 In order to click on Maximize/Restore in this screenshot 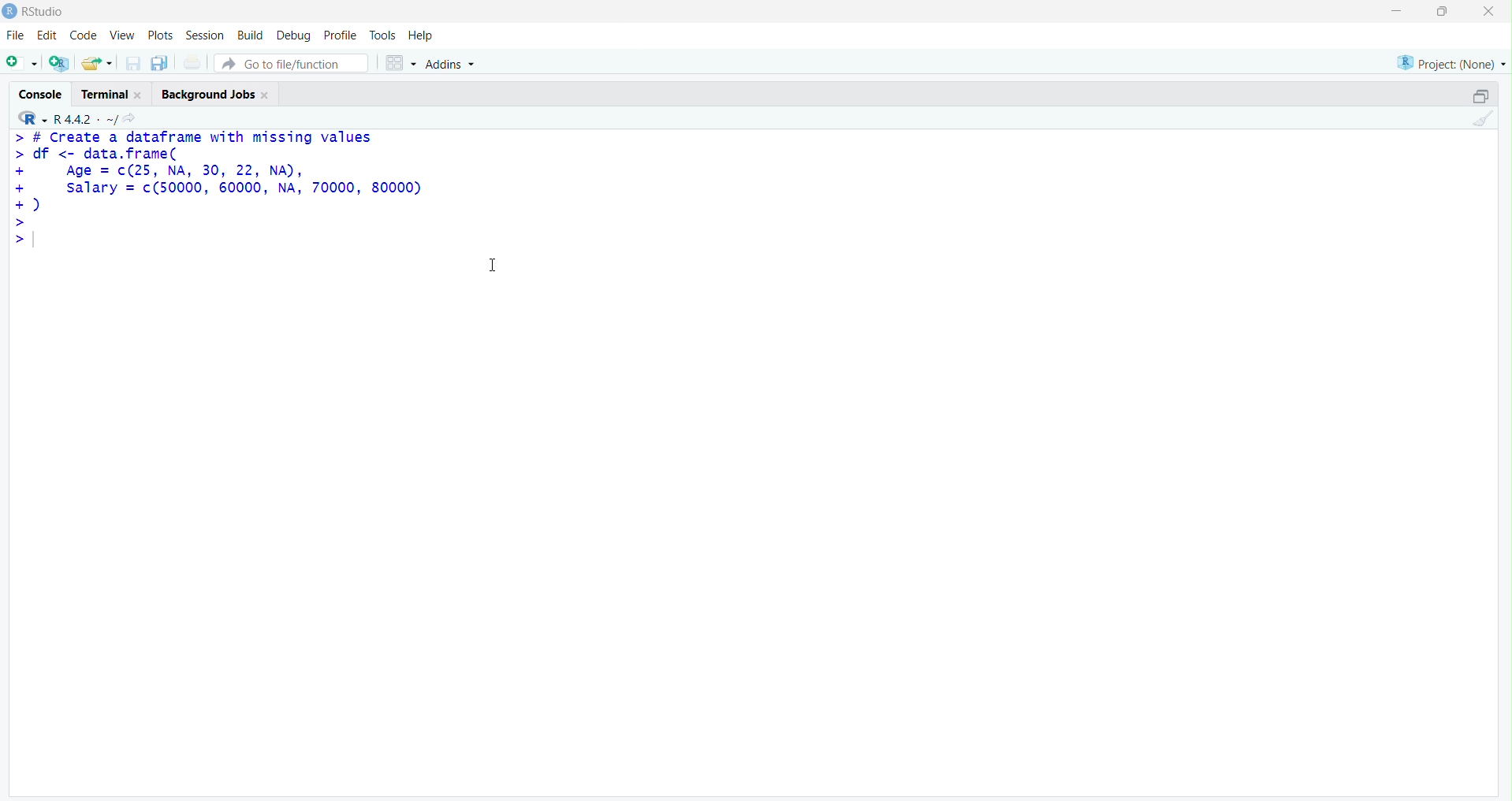, I will do `click(1484, 95)`.